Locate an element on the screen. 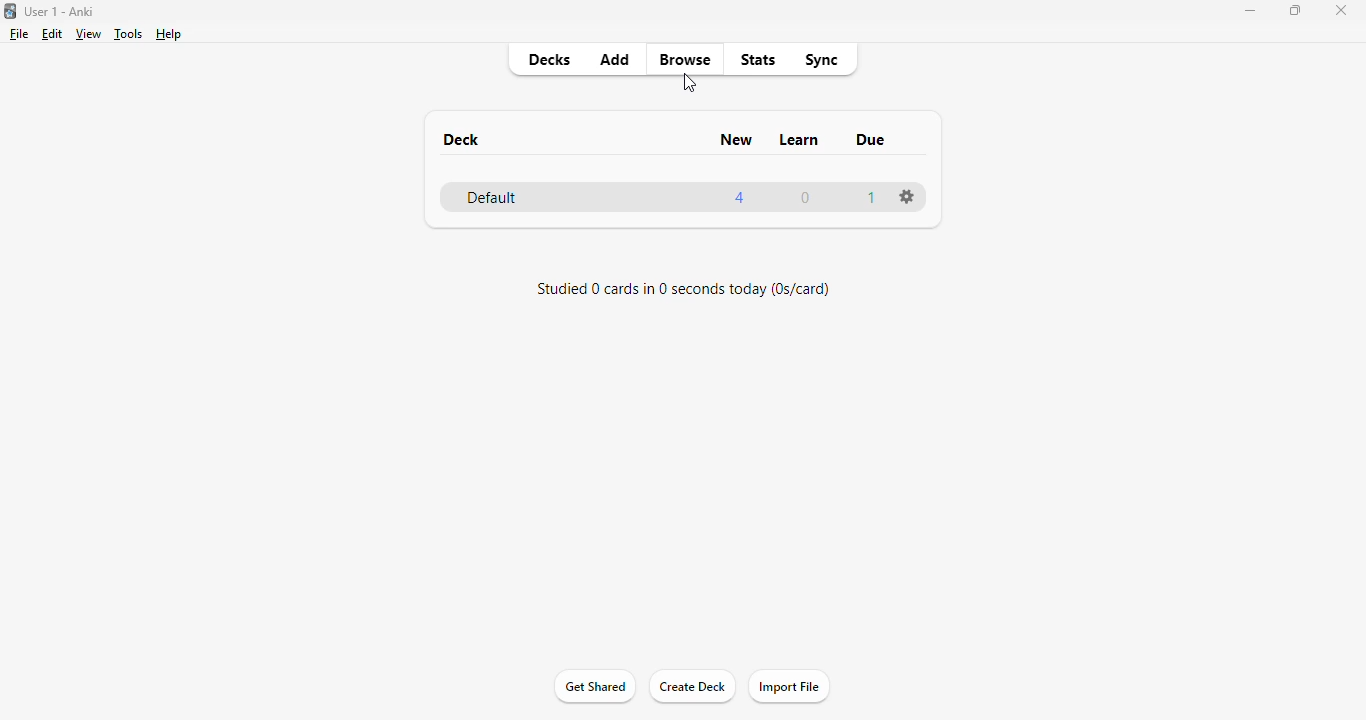 The width and height of the screenshot is (1366, 720). file is located at coordinates (19, 34).